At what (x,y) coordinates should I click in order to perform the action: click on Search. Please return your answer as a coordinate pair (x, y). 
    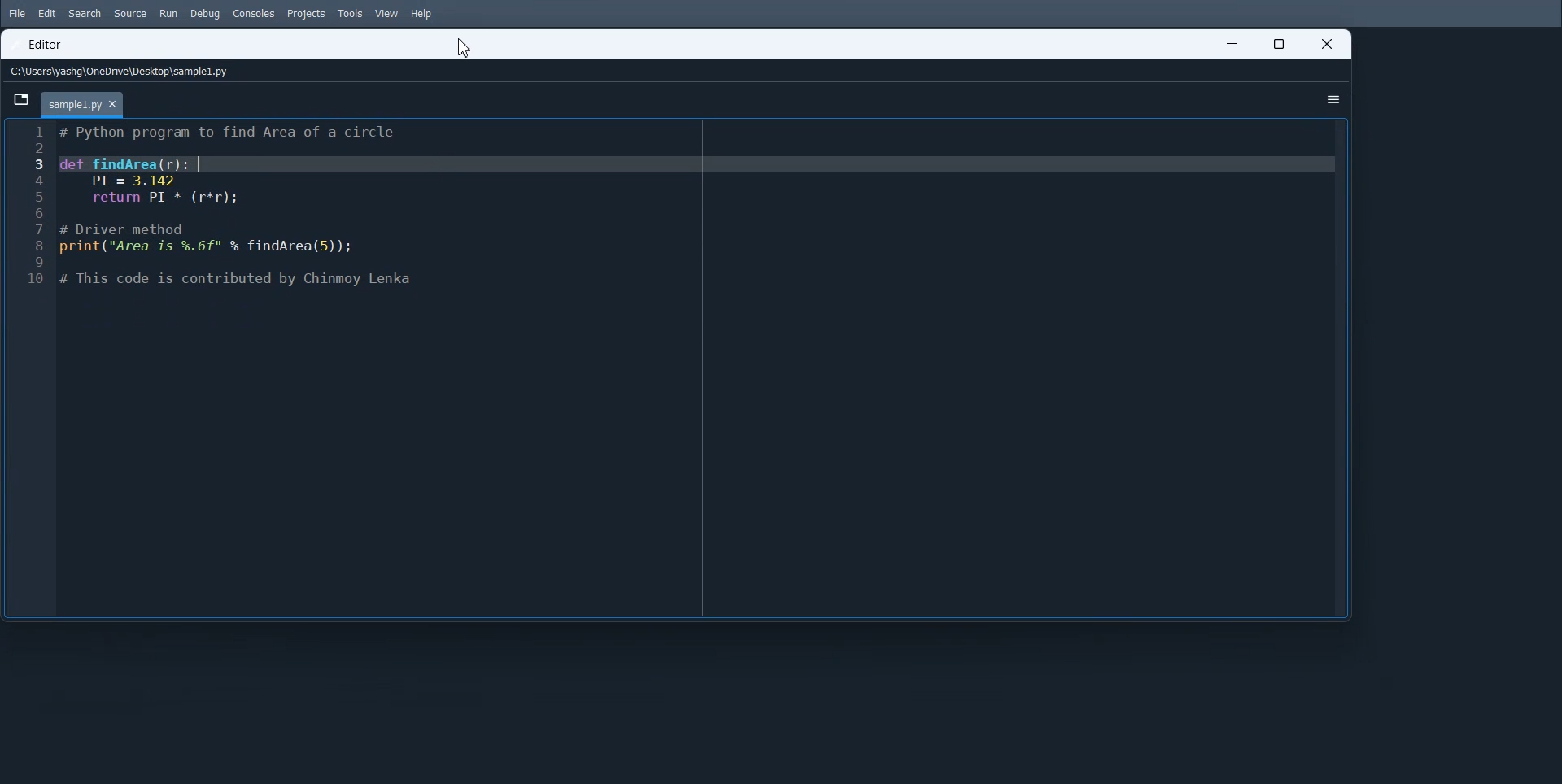
    Looking at the image, I should click on (85, 14).